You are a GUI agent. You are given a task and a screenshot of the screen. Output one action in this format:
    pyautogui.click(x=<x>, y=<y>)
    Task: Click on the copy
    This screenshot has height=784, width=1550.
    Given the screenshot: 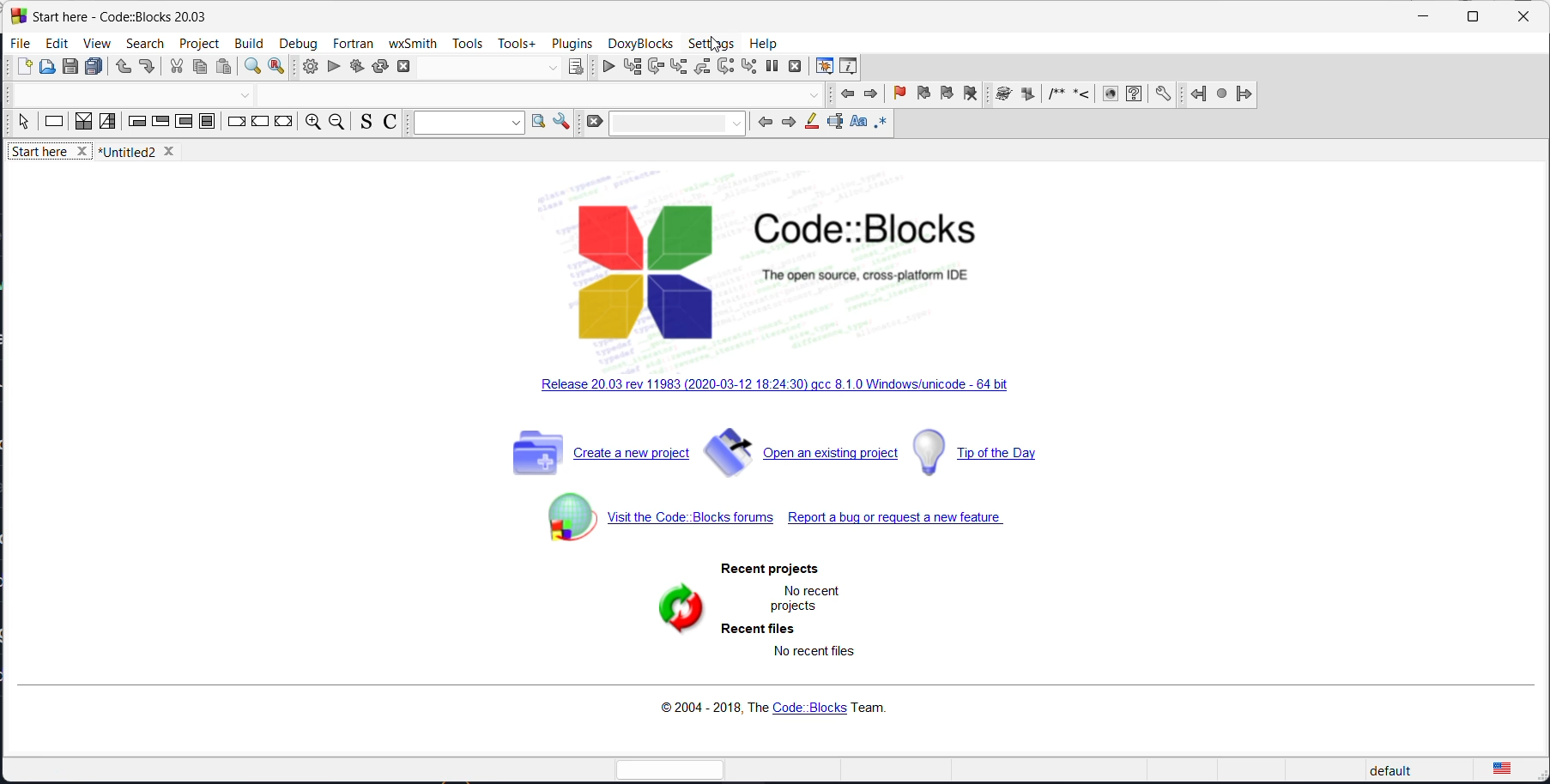 What is the action you would take?
    pyautogui.click(x=199, y=69)
    